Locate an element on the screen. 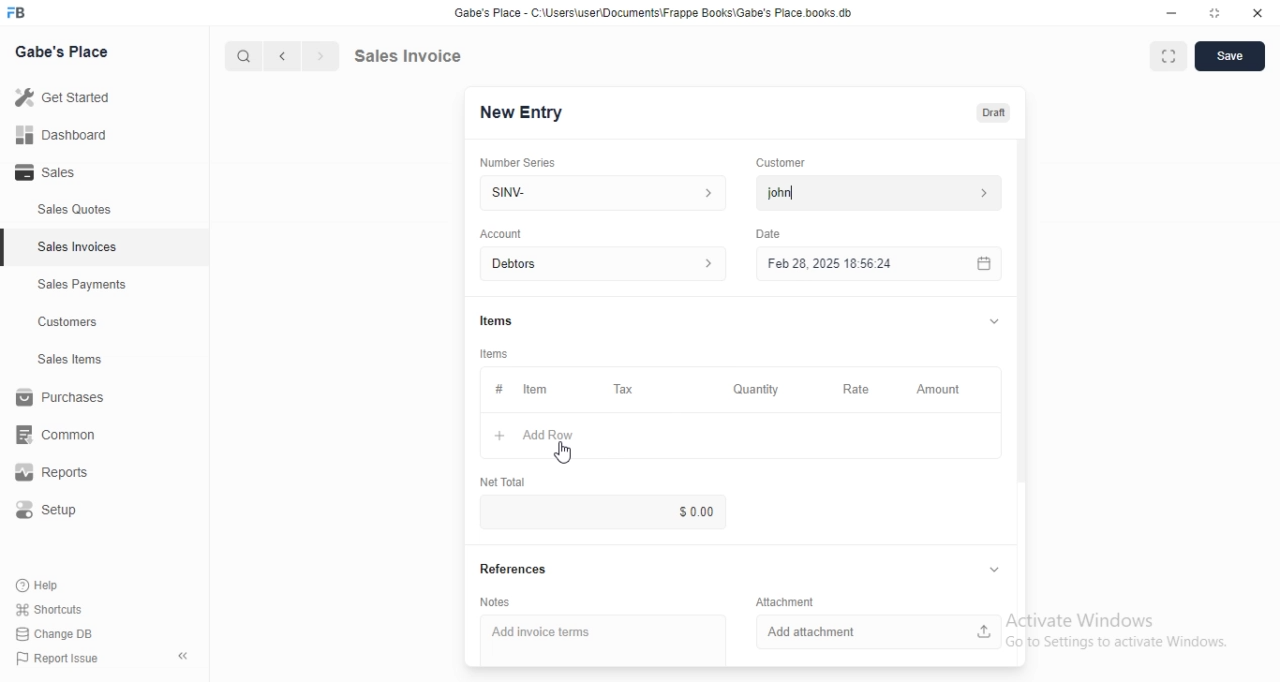 The image size is (1280, 682). Customers. is located at coordinates (62, 324).